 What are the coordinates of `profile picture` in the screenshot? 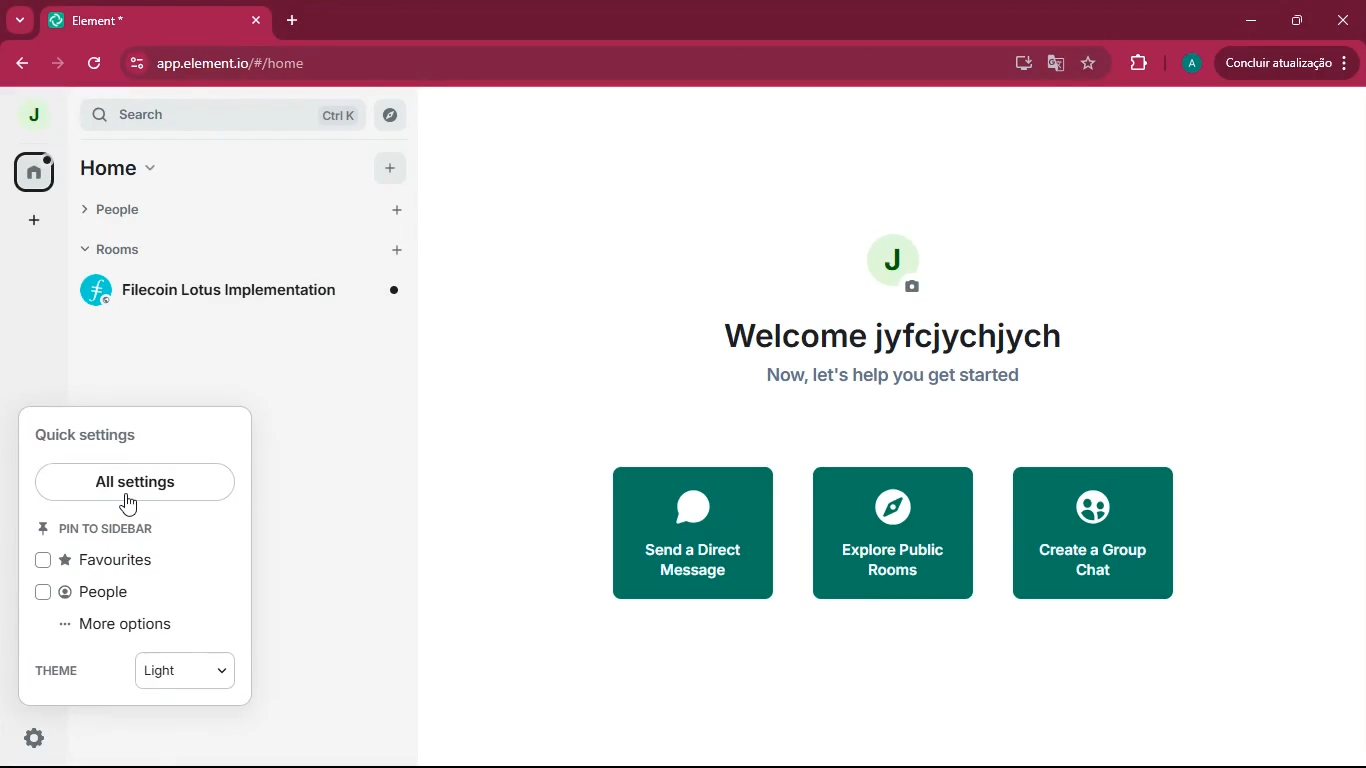 It's located at (897, 264).